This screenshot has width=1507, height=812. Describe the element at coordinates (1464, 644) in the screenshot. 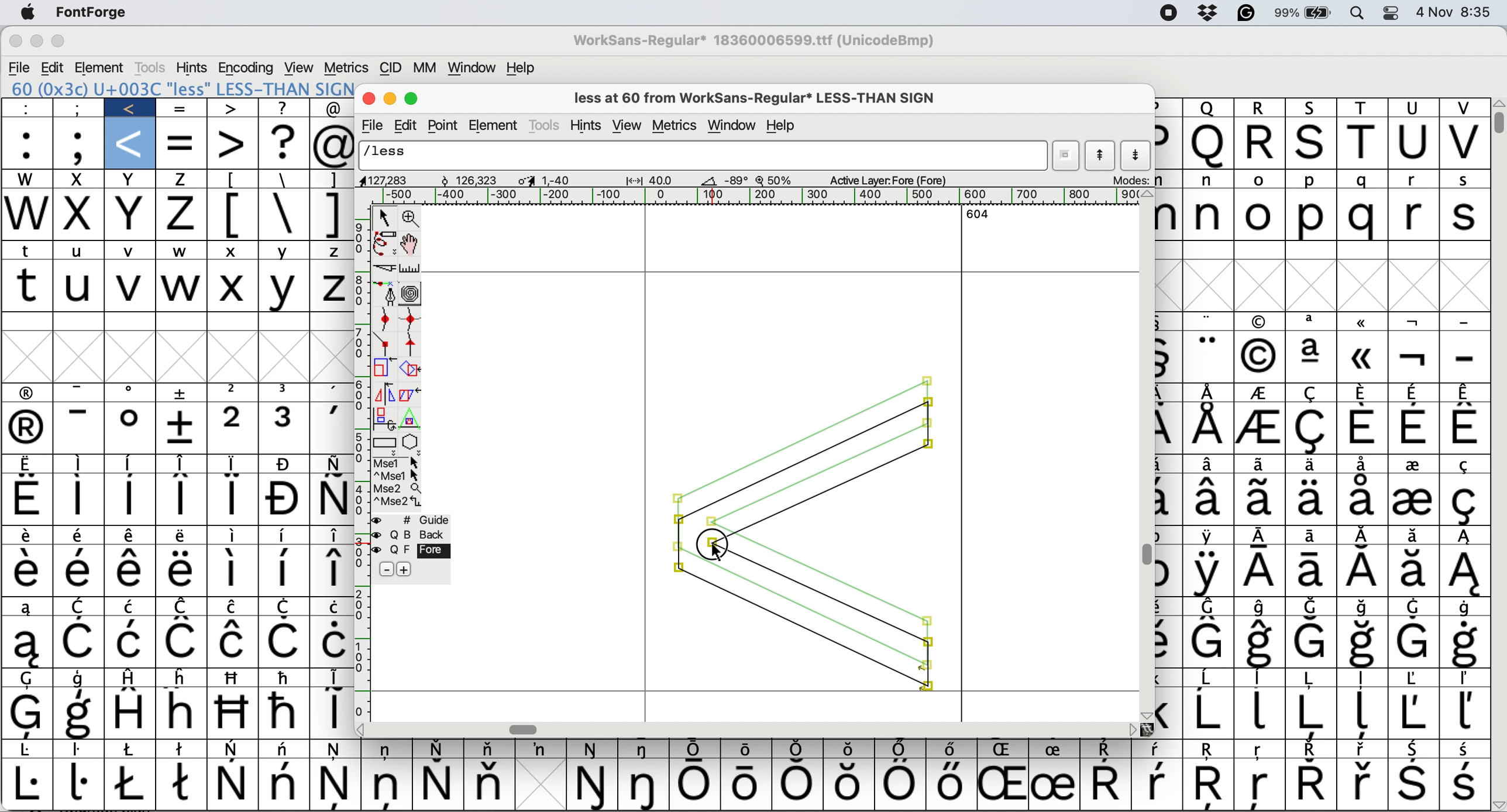

I see `Symbol` at that location.